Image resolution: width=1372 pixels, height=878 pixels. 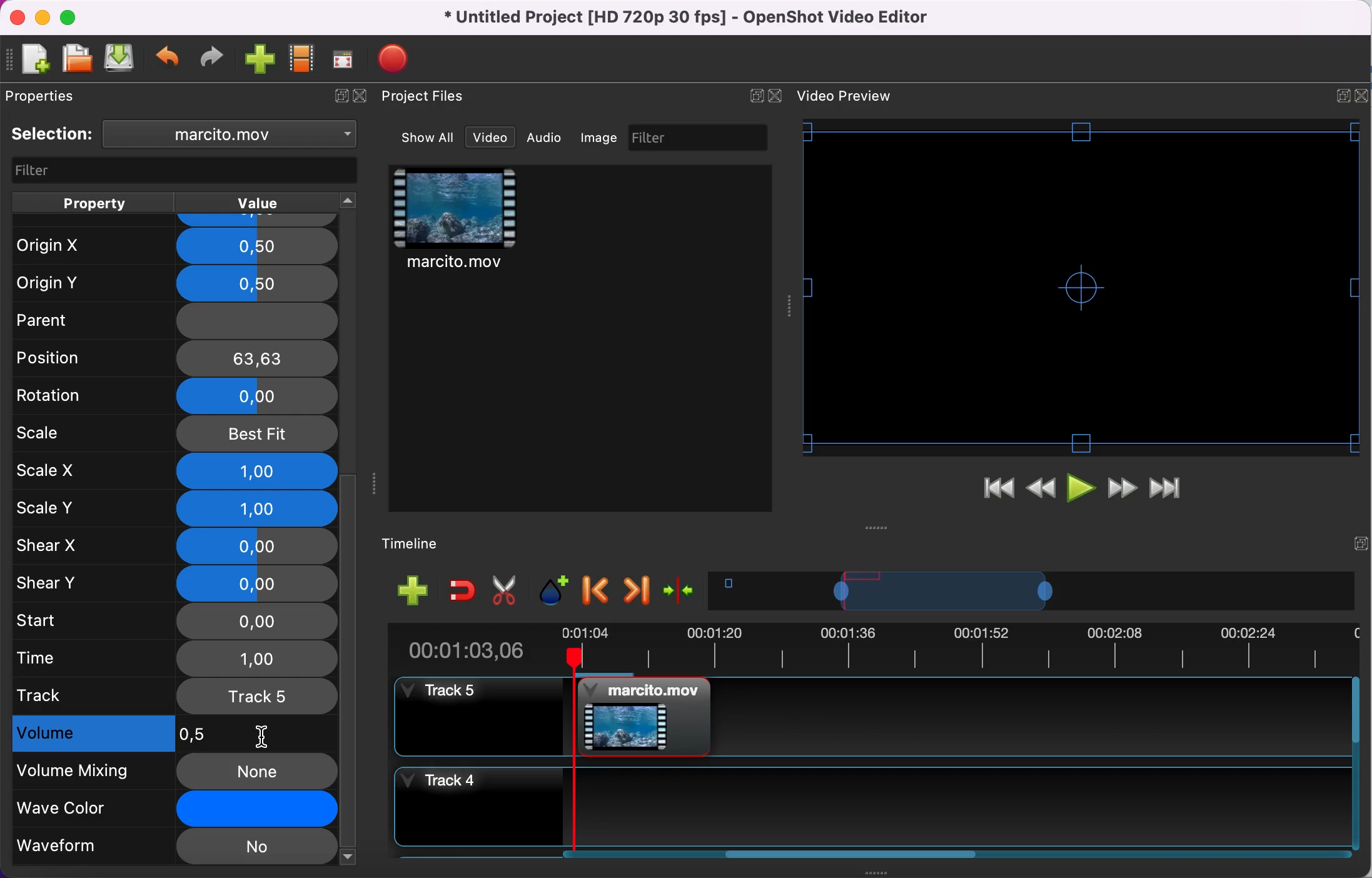 I want to click on previous marker, so click(x=598, y=591).